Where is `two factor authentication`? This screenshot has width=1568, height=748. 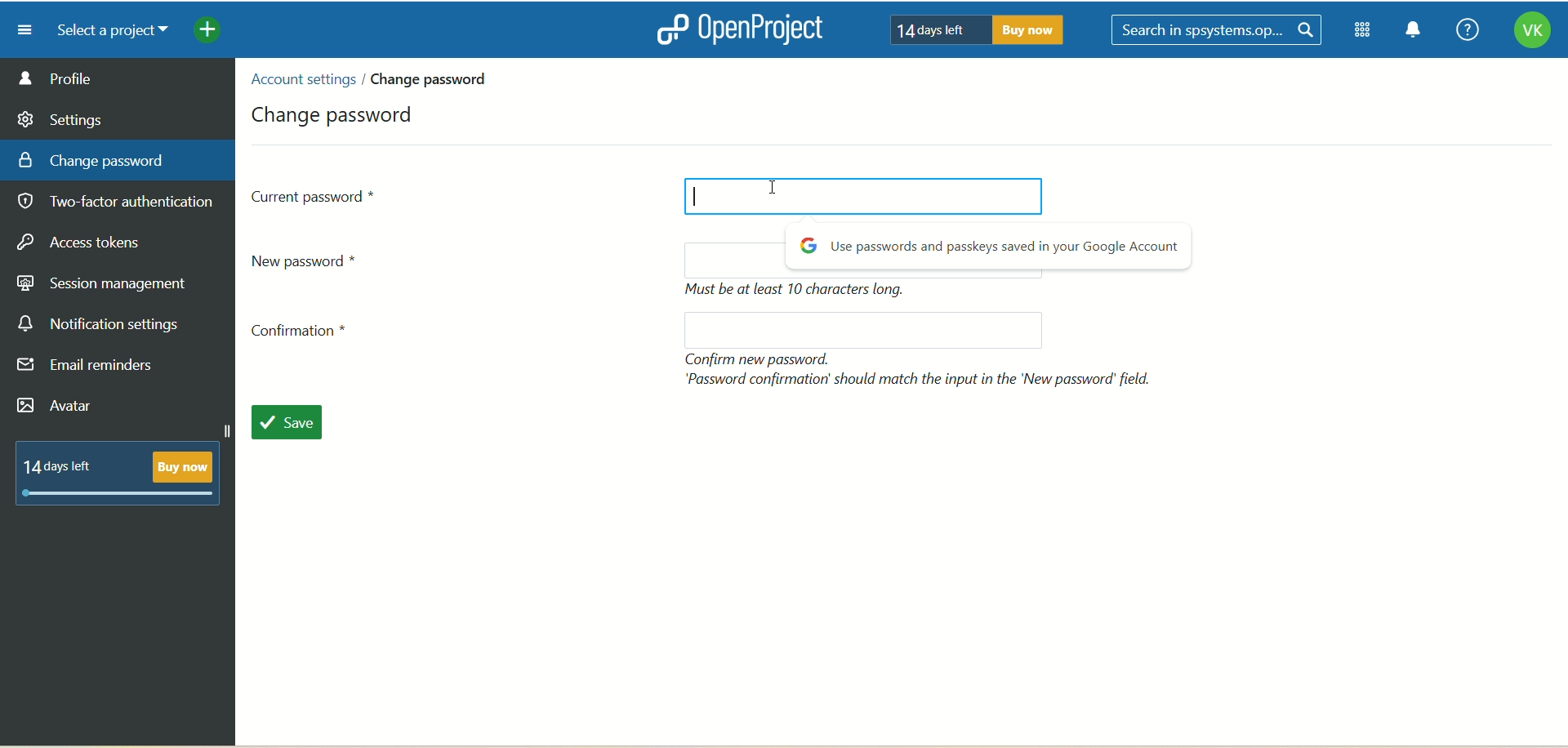 two factor authentication is located at coordinates (122, 203).